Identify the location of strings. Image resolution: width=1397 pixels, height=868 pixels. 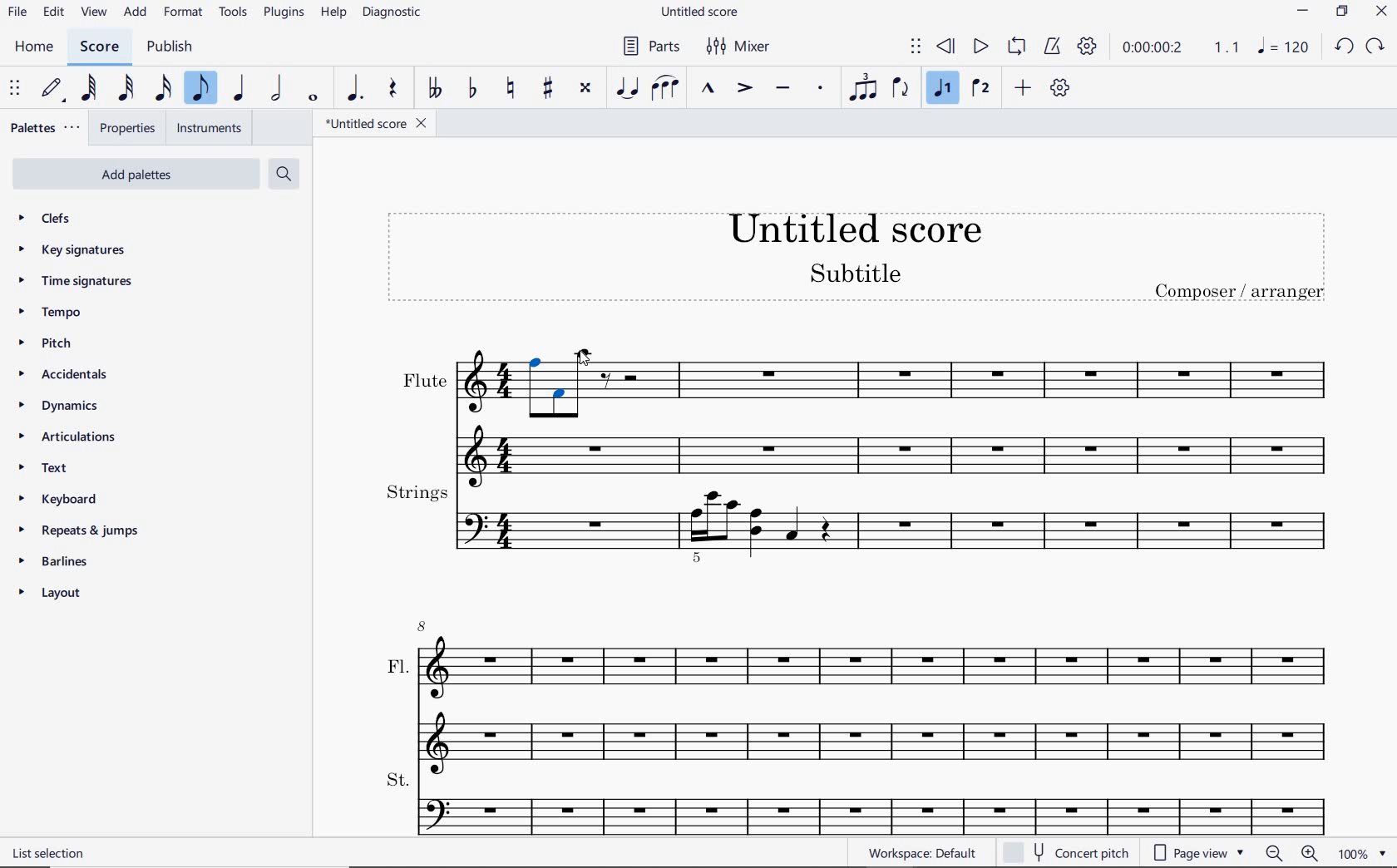
(859, 521).